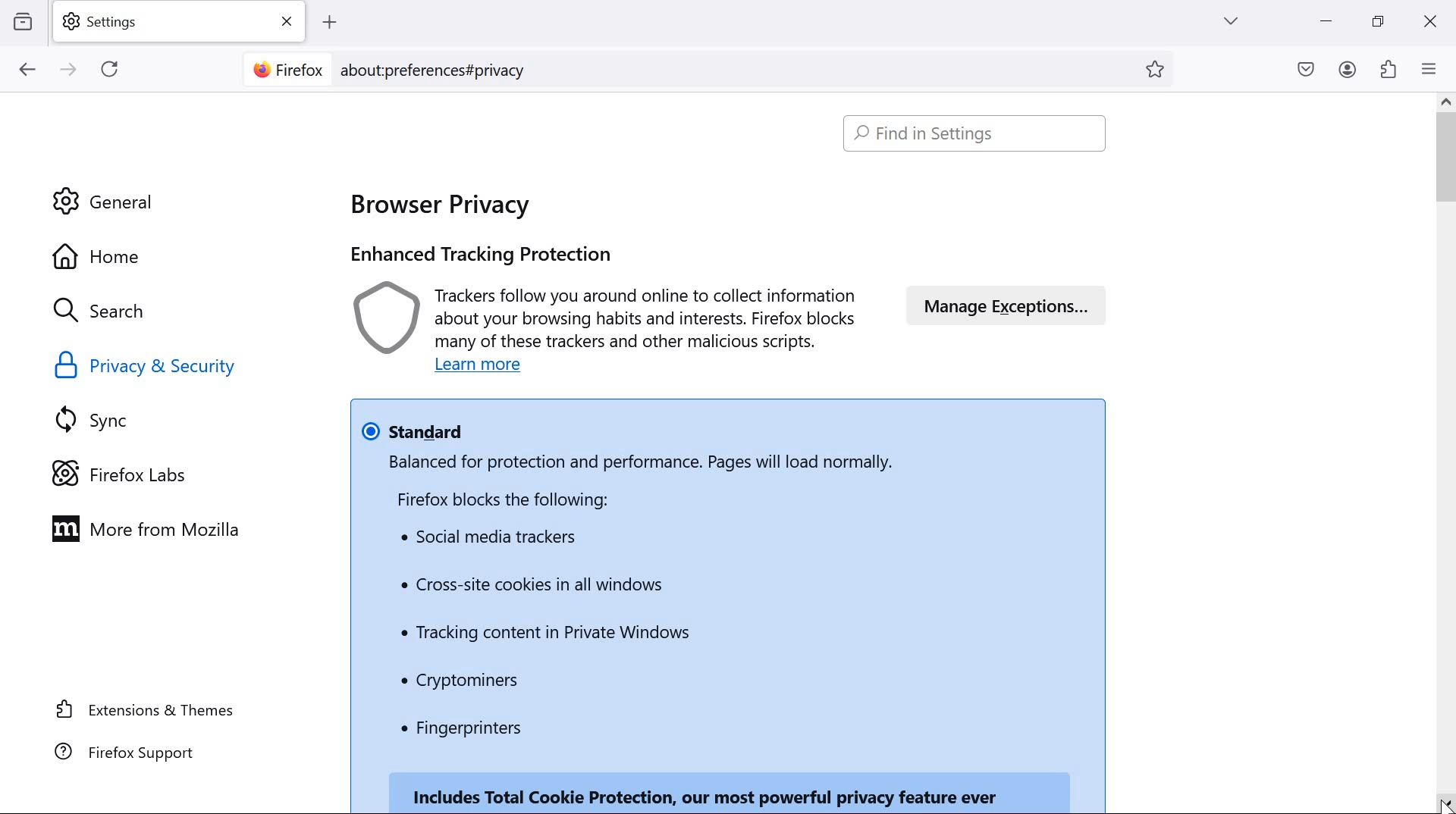  Describe the element at coordinates (443, 69) in the screenshot. I see `about:preferences#privacy` at that location.